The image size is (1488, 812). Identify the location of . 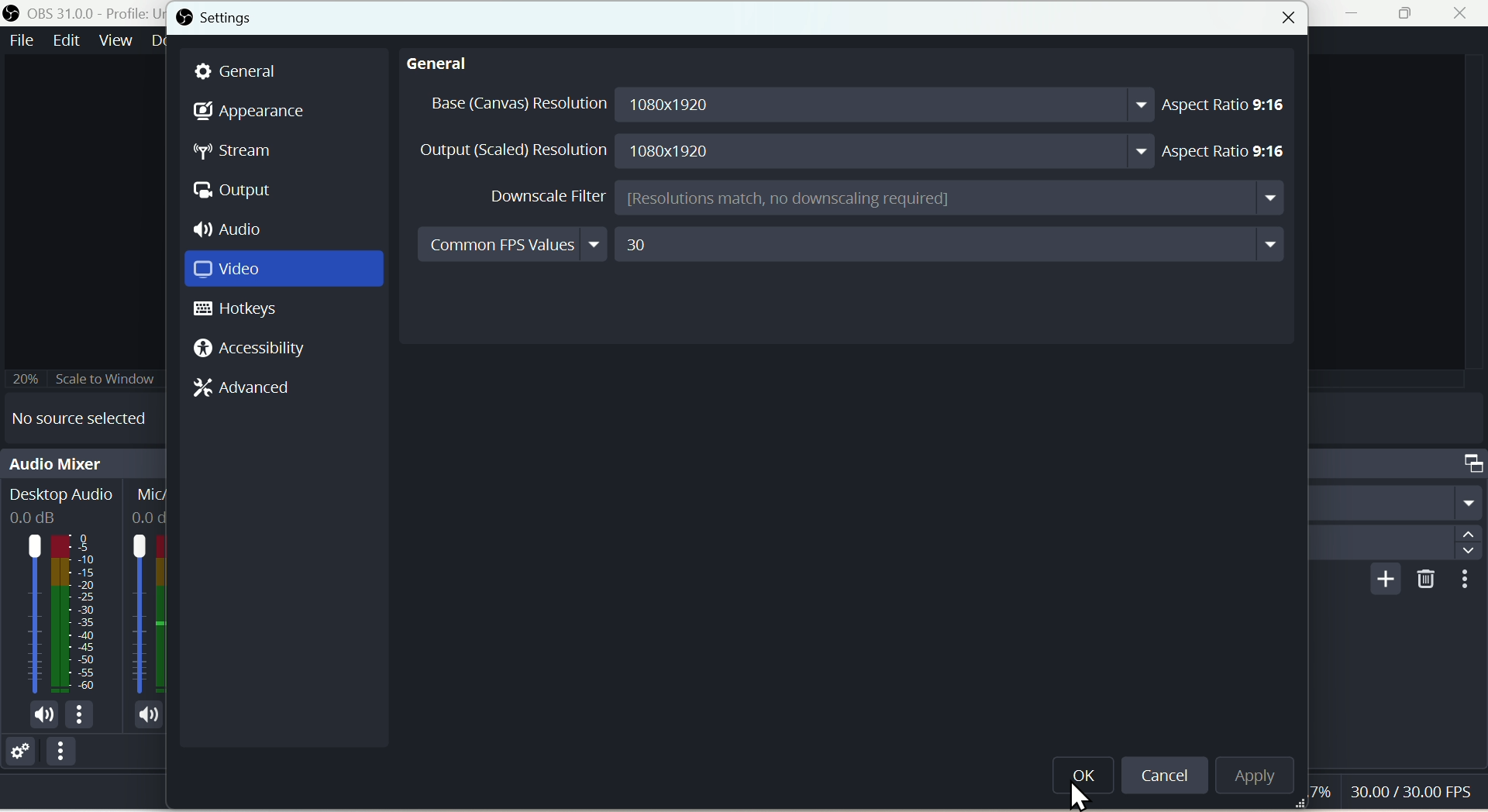
(283, 271).